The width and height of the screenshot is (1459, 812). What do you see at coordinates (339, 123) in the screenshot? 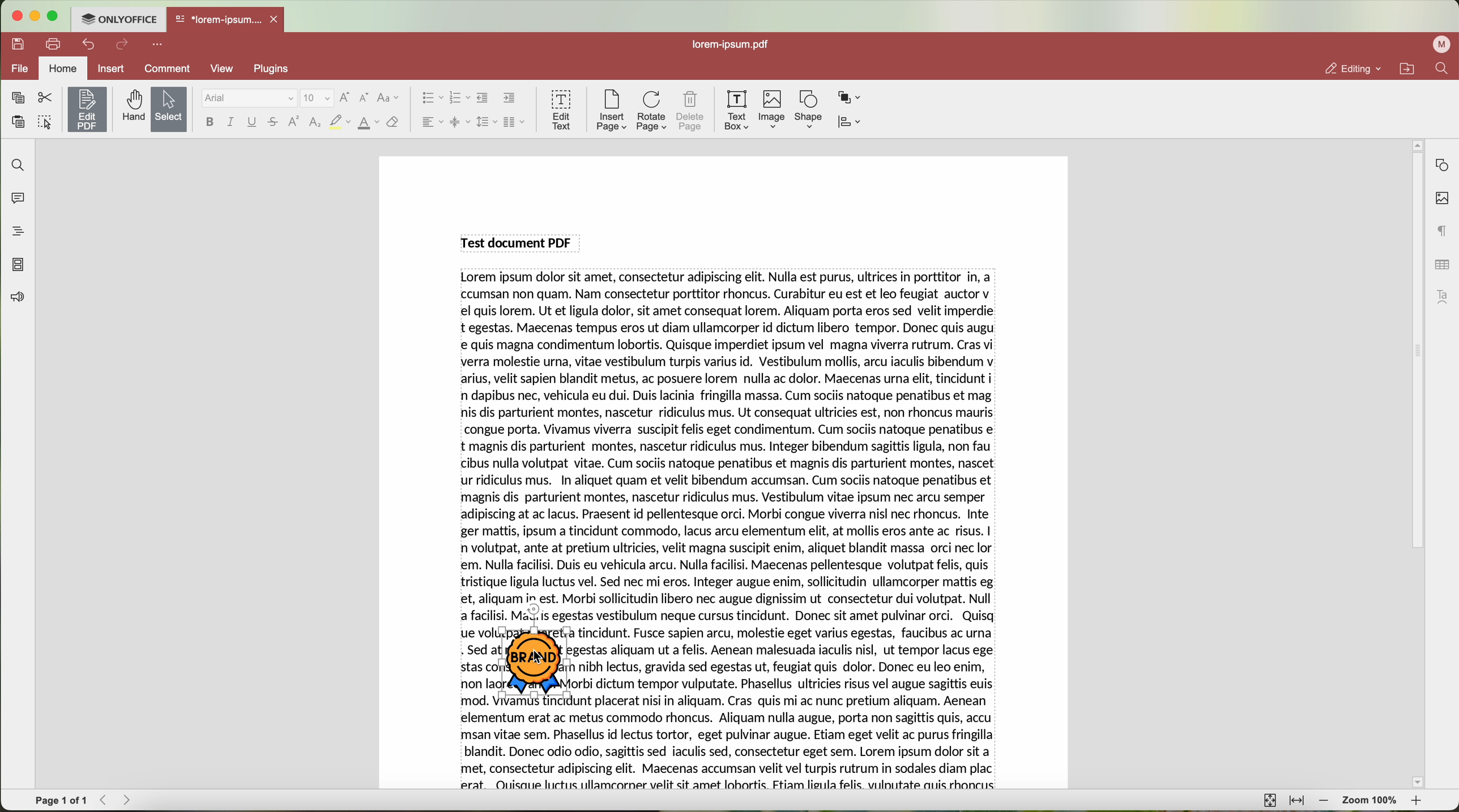
I see `highlight color` at bounding box center [339, 123].